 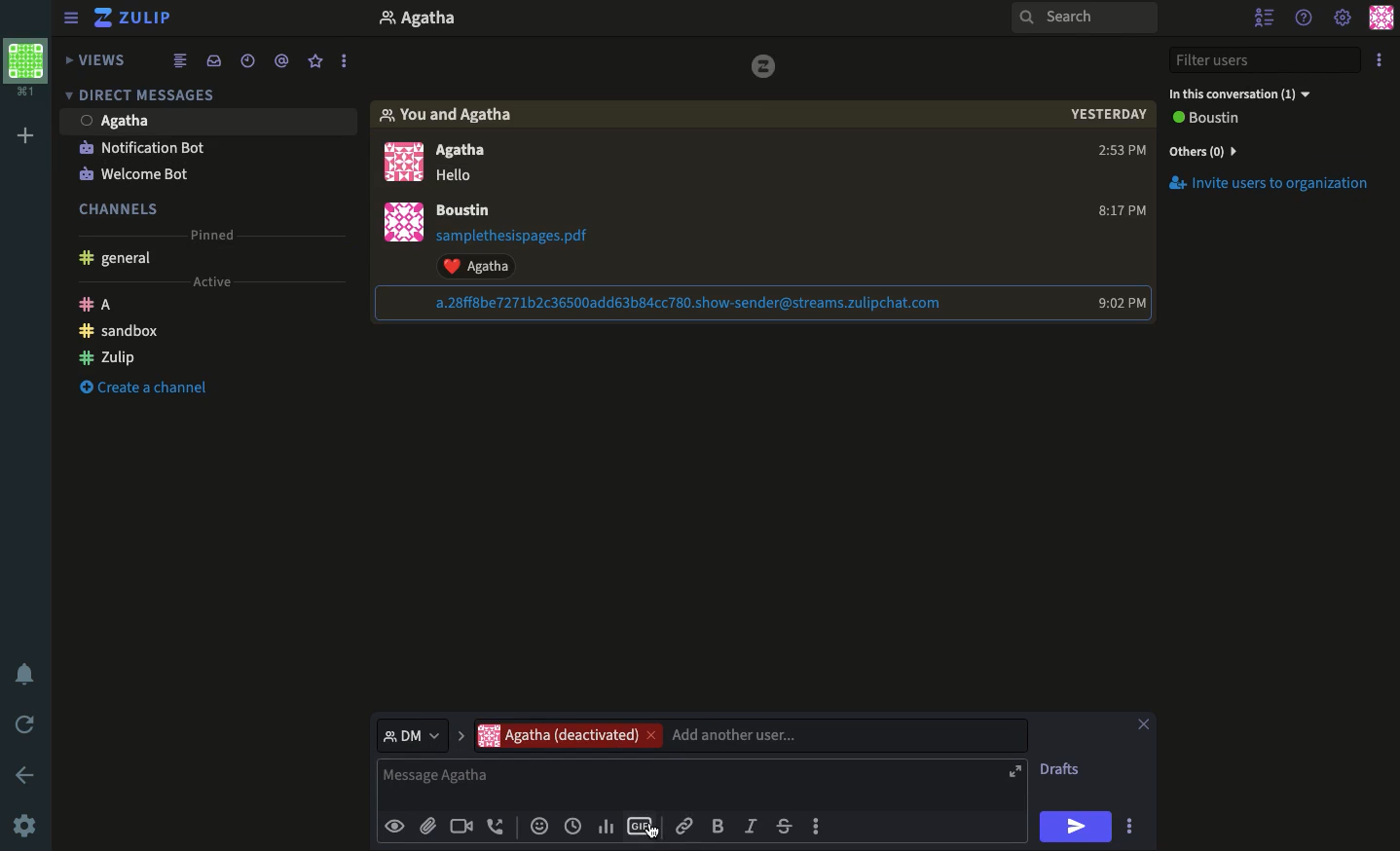 I want to click on Workspace profile, so click(x=26, y=62).